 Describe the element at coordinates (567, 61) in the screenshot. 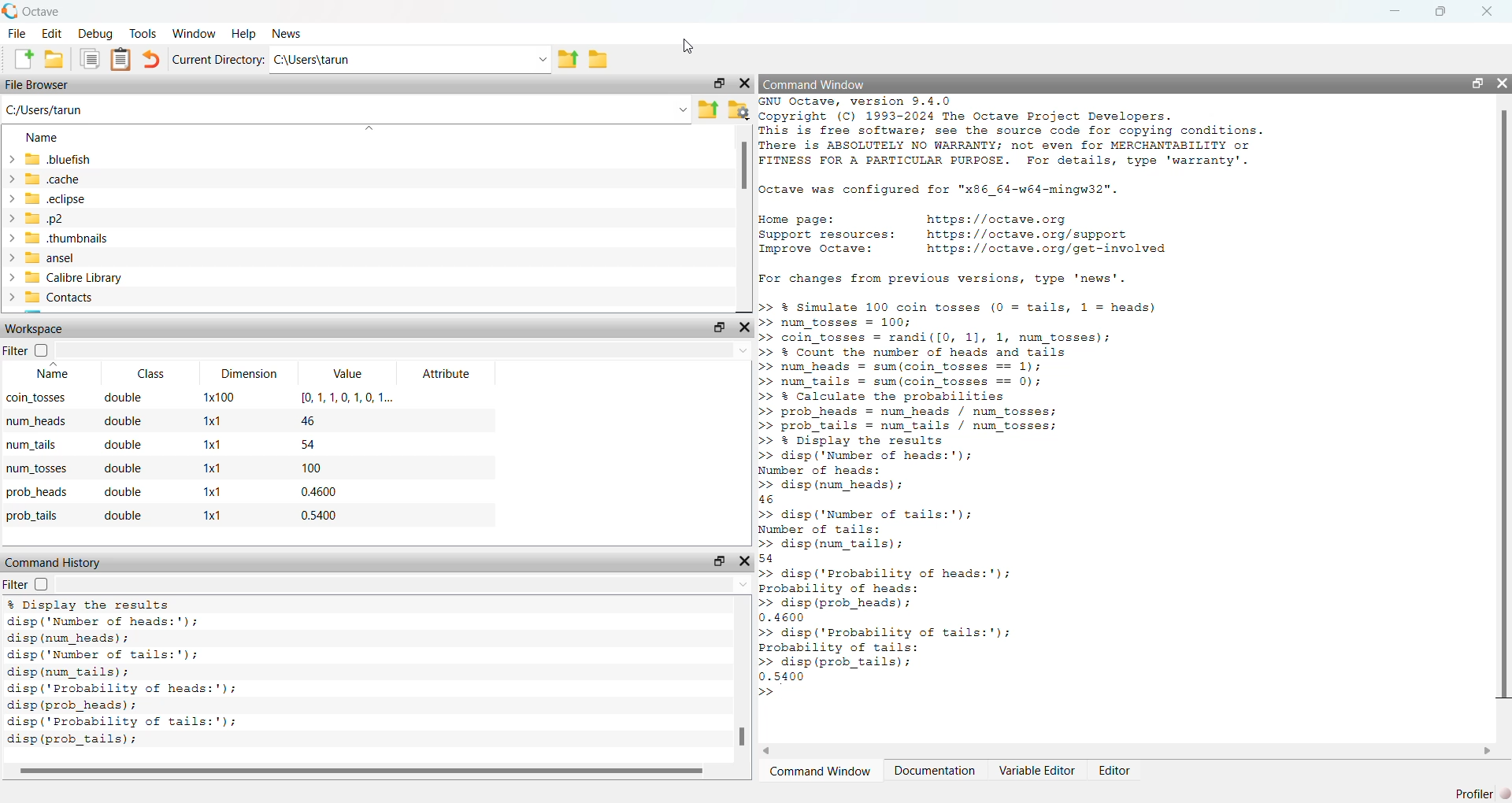

I see `previous folder` at that location.